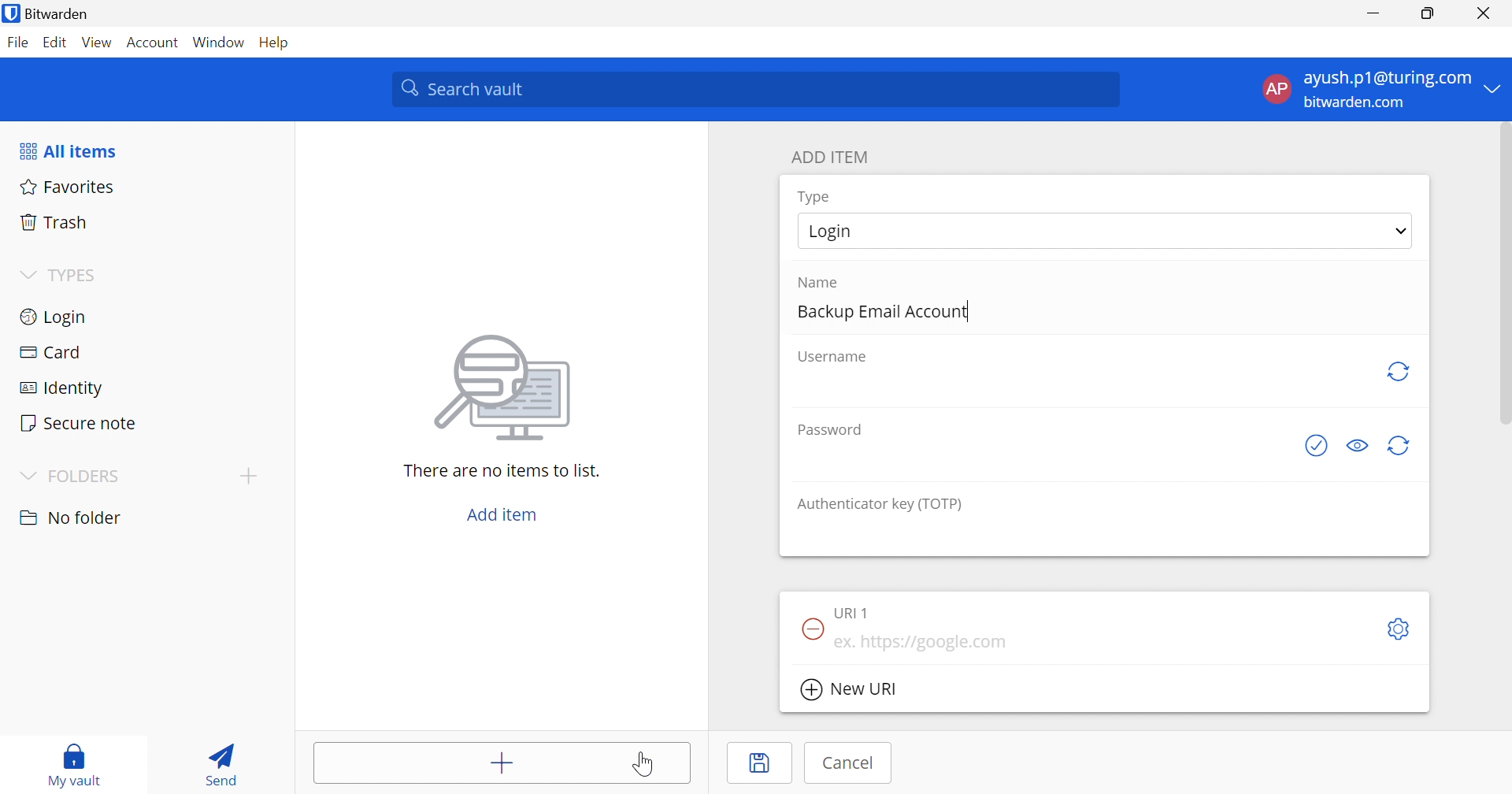 This screenshot has width=1512, height=794. What do you see at coordinates (74, 766) in the screenshot?
I see `My vault` at bounding box center [74, 766].